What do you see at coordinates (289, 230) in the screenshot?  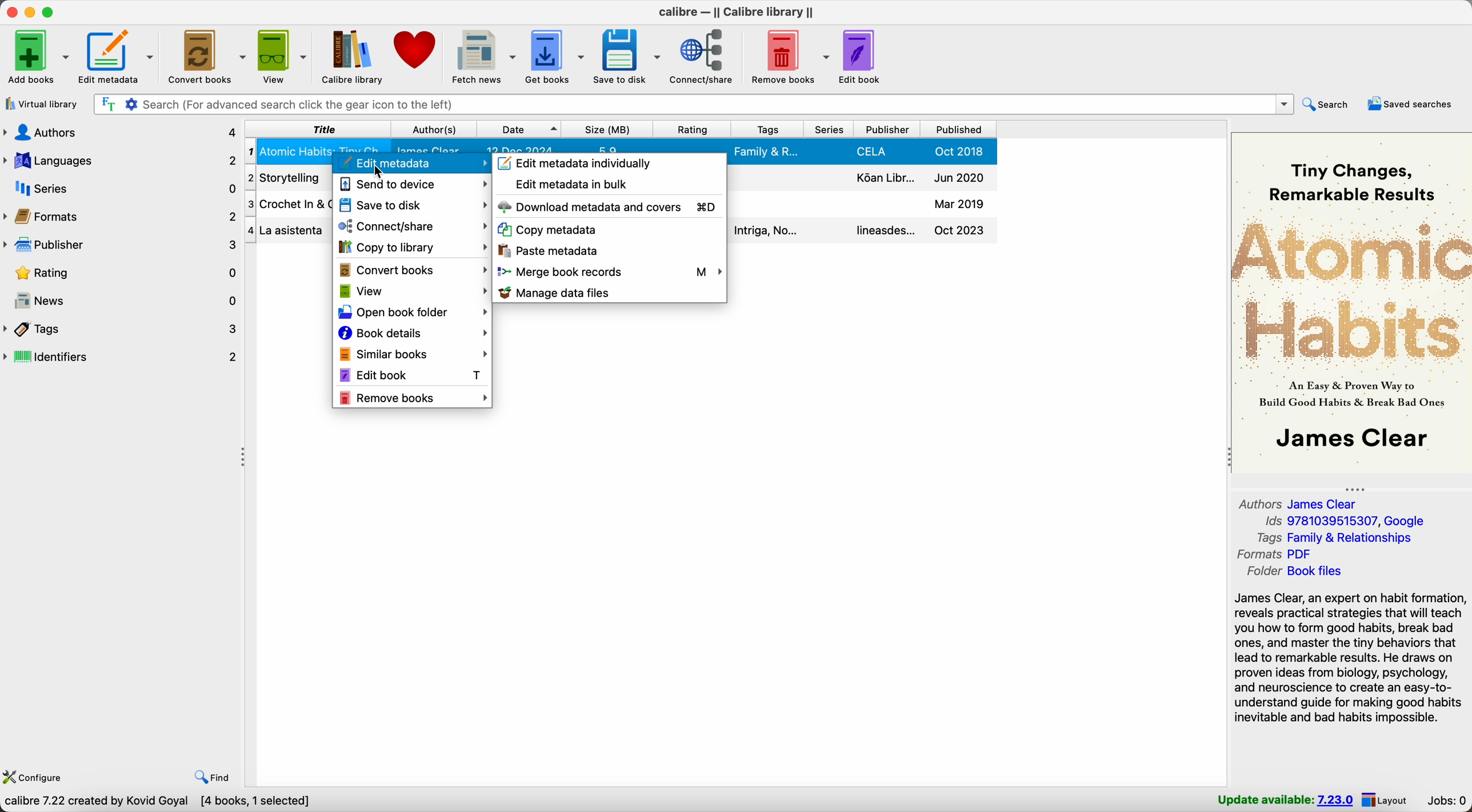 I see `La asistenta book details` at bounding box center [289, 230].